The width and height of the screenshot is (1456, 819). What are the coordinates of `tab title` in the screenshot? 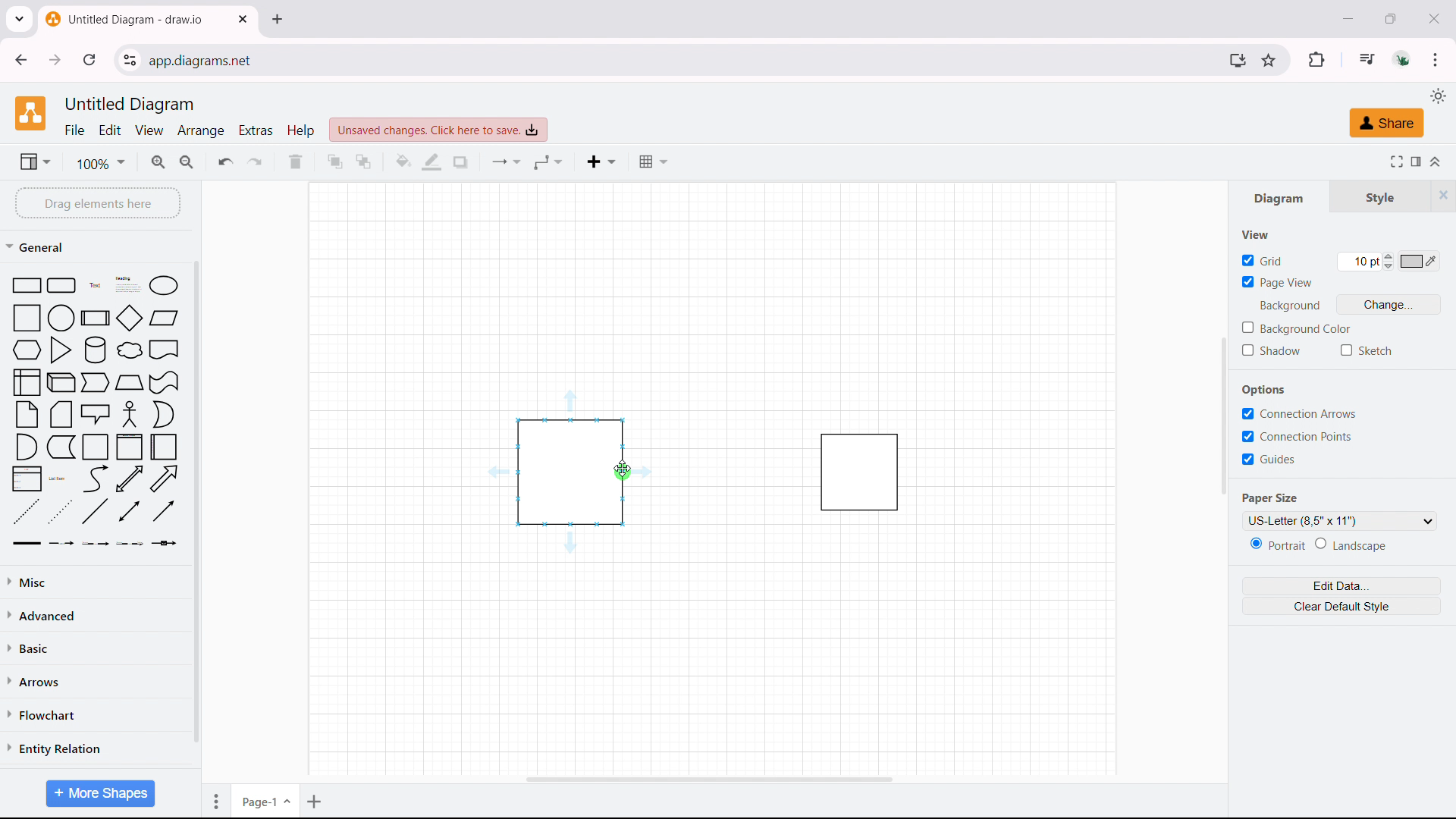 It's located at (126, 19).